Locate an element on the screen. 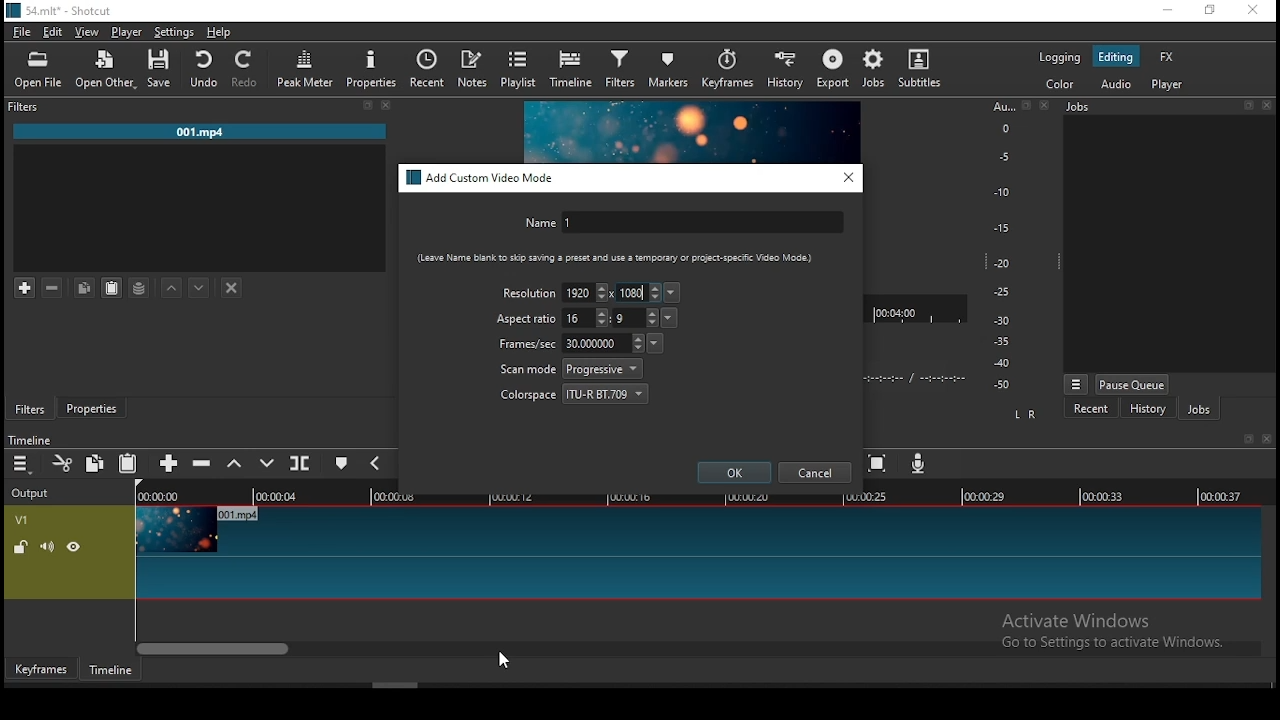  jobs is located at coordinates (1080, 106).